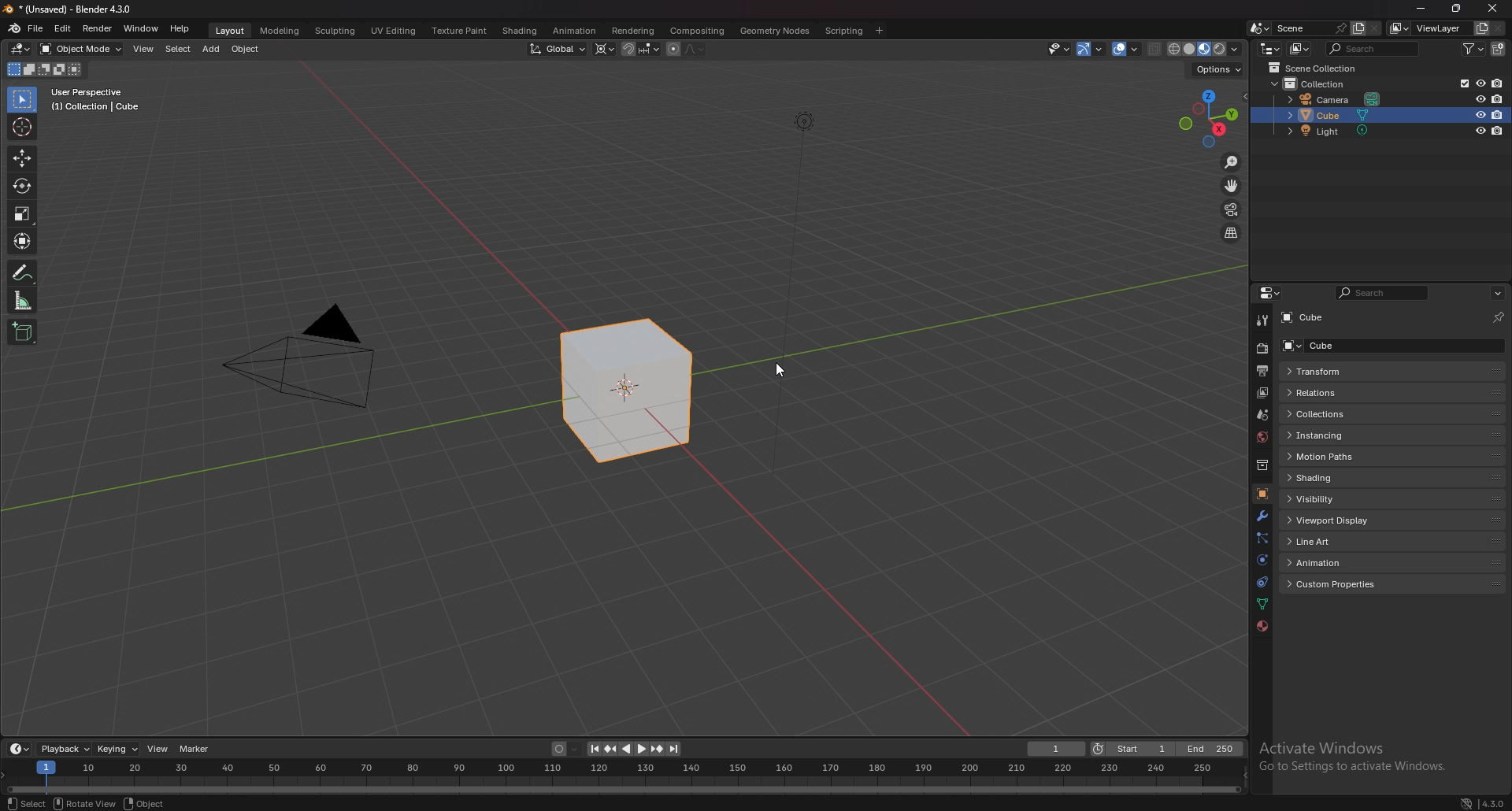 The height and width of the screenshot is (811, 1512). What do you see at coordinates (1499, 316) in the screenshot?
I see `toggle pin id` at bounding box center [1499, 316].